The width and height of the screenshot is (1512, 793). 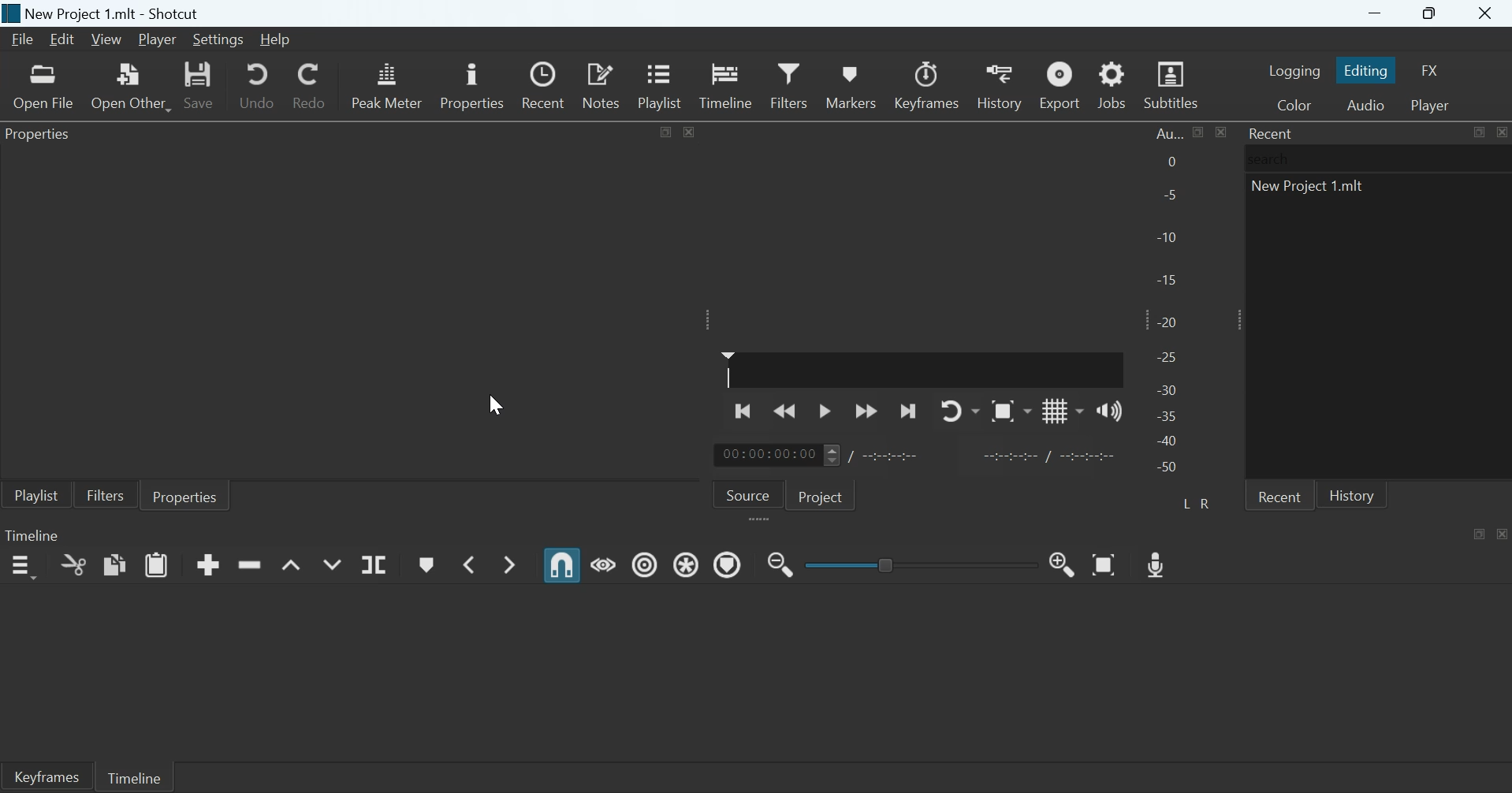 What do you see at coordinates (308, 83) in the screenshot?
I see `Redo` at bounding box center [308, 83].